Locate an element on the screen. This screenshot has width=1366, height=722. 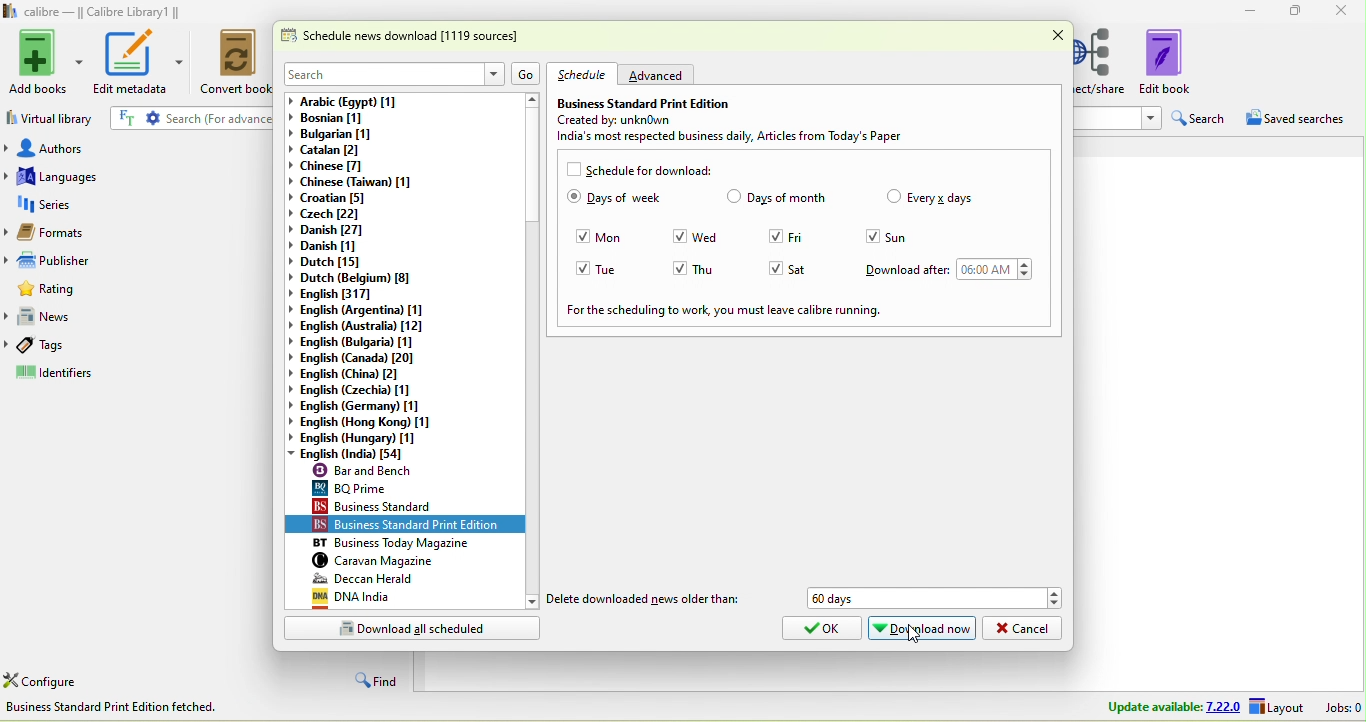
wed is located at coordinates (713, 237).